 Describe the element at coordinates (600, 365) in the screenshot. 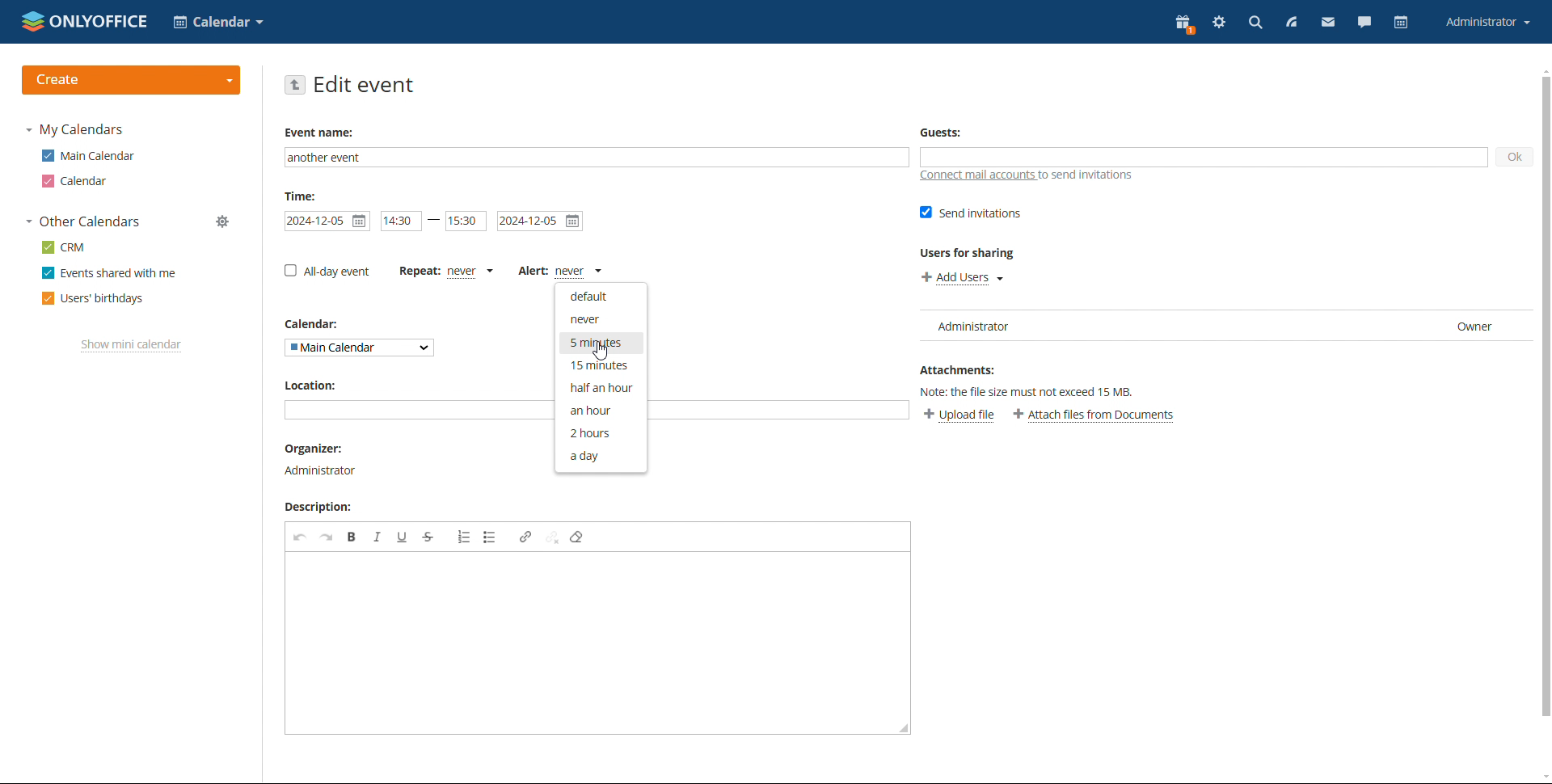

I see `15 minutes` at that location.